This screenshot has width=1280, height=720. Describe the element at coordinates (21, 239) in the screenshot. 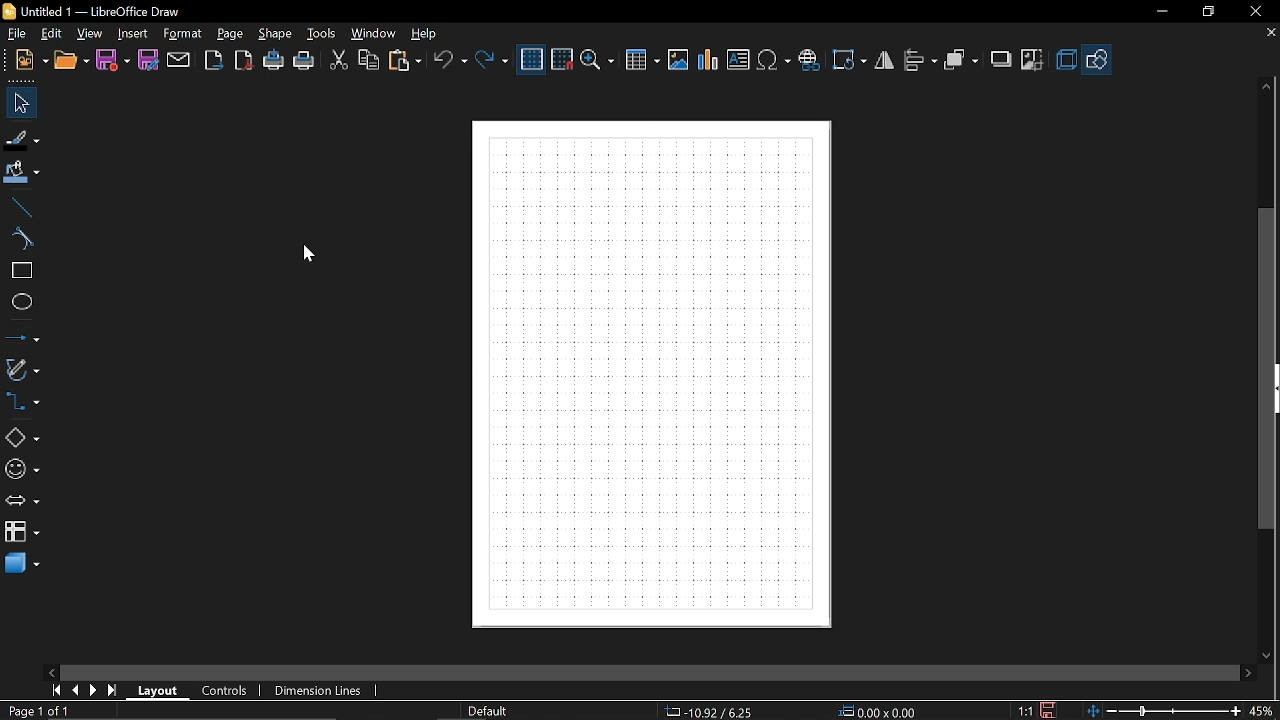

I see `curve` at that location.